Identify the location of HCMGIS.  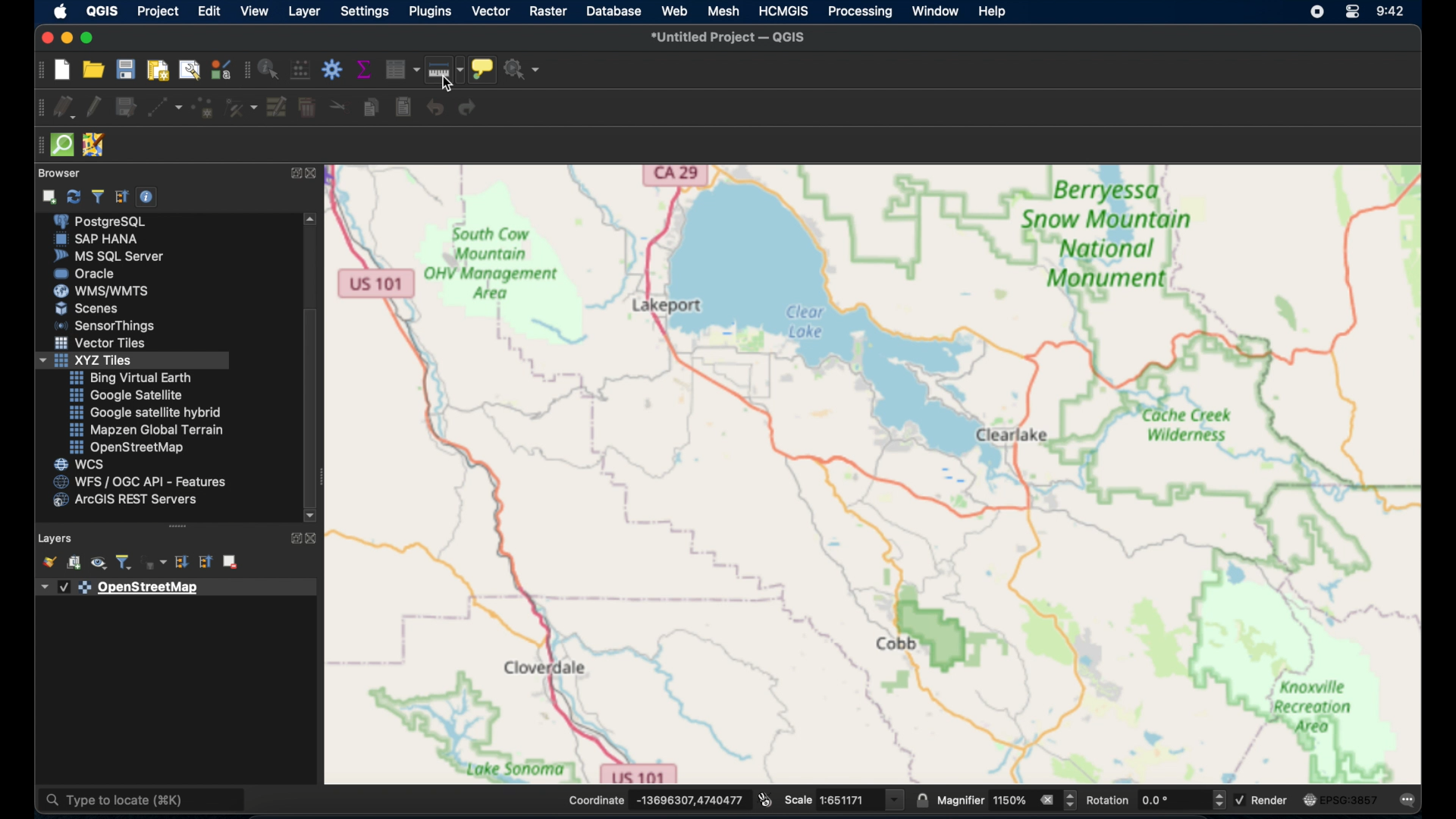
(784, 11).